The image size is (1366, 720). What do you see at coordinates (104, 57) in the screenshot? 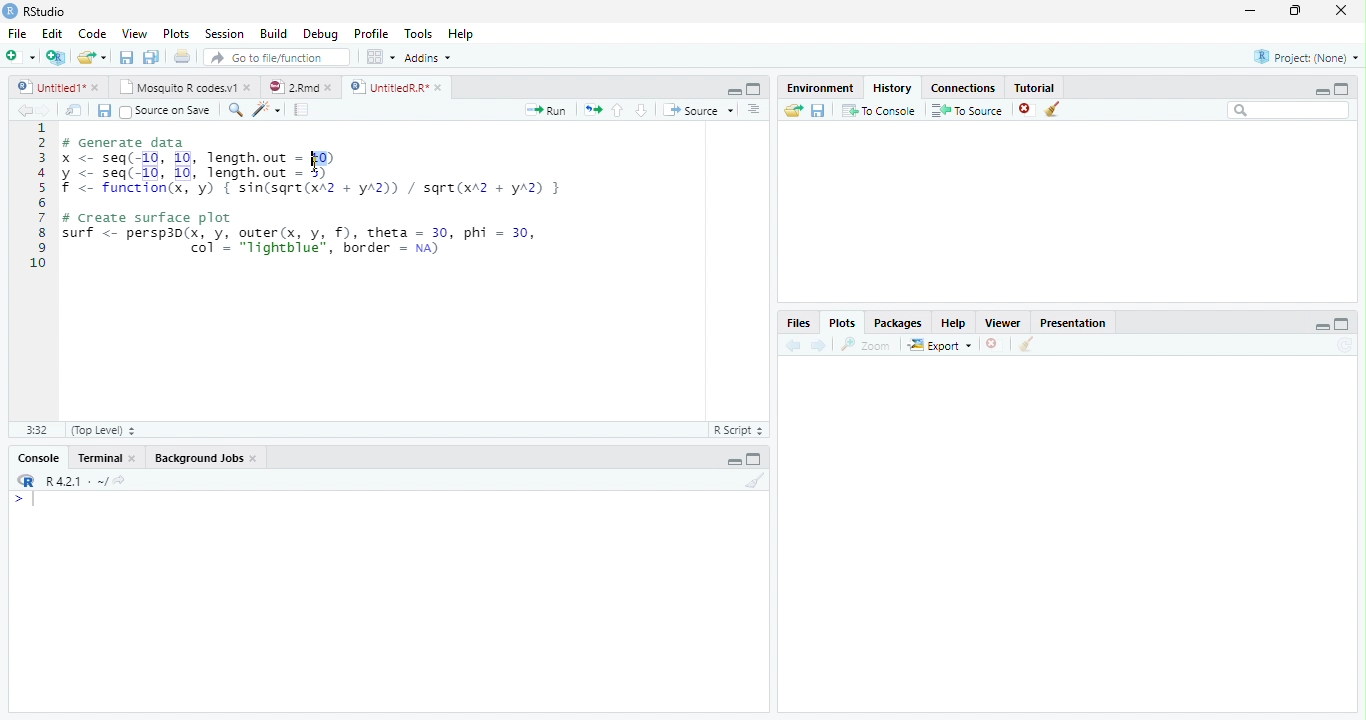
I see `Open recent files` at bounding box center [104, 57].